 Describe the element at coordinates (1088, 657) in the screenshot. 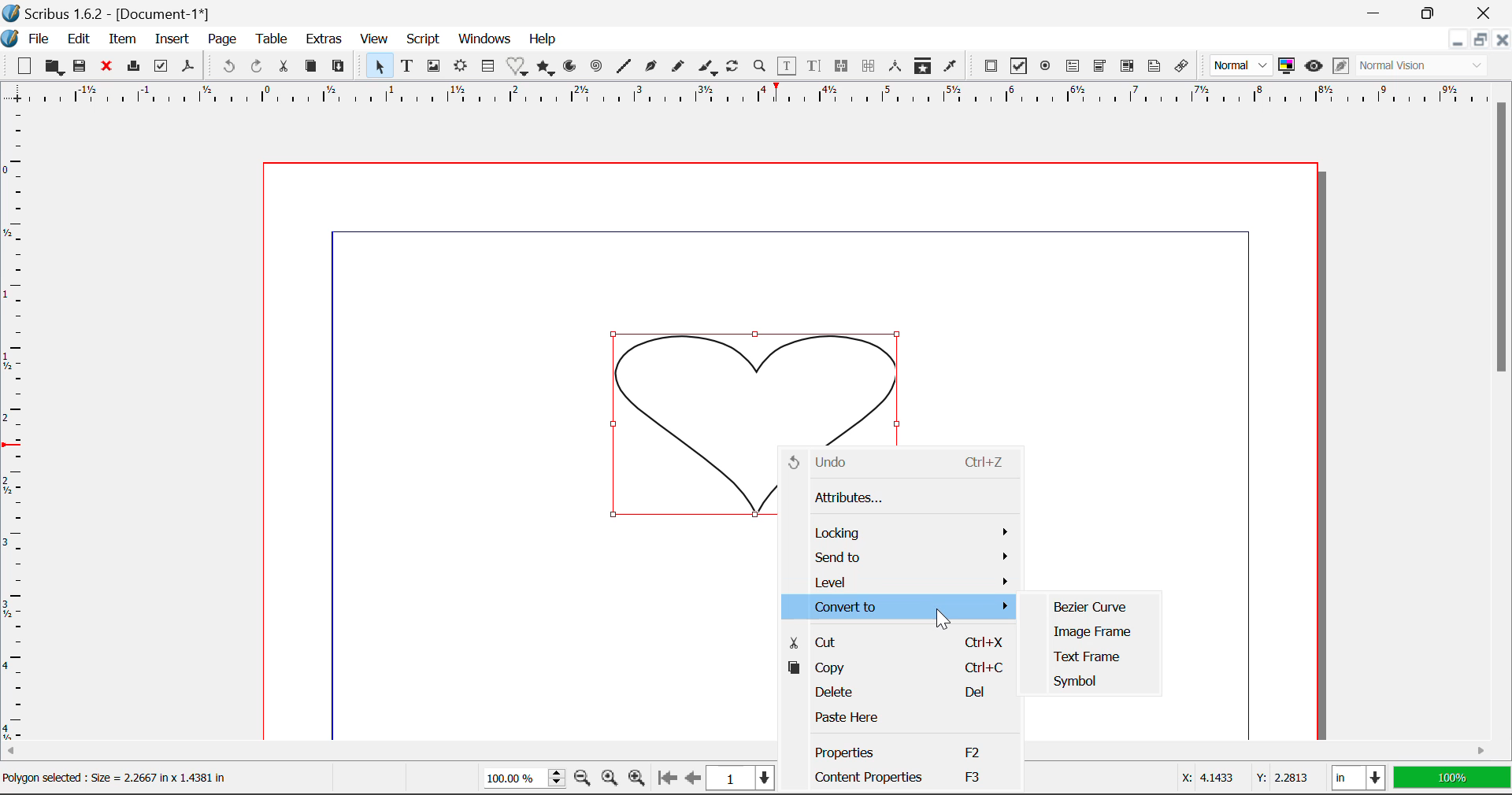

I see `Text Frame` at that location.